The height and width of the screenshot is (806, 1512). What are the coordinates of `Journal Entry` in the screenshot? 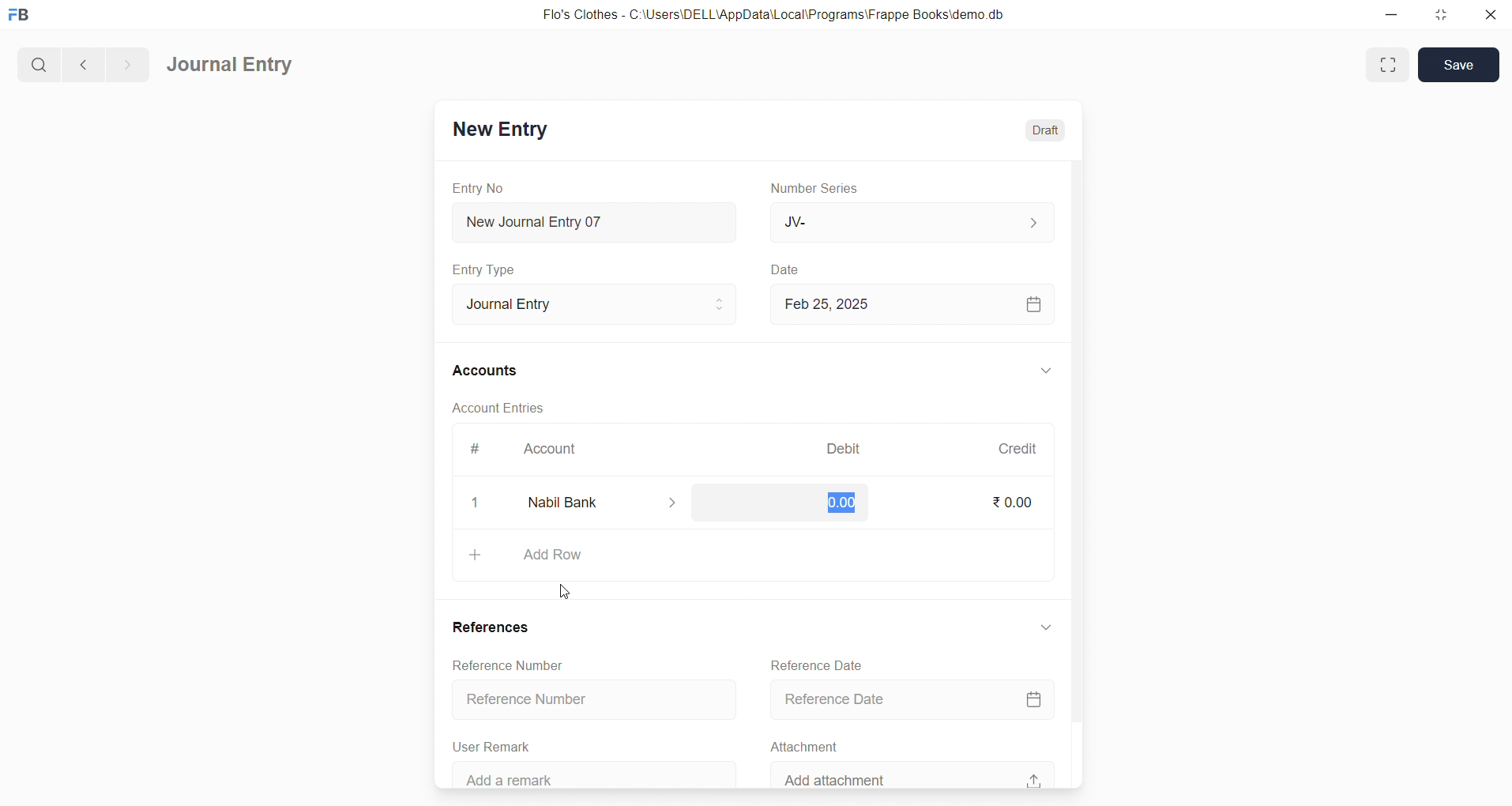 It's located at (589, 304).